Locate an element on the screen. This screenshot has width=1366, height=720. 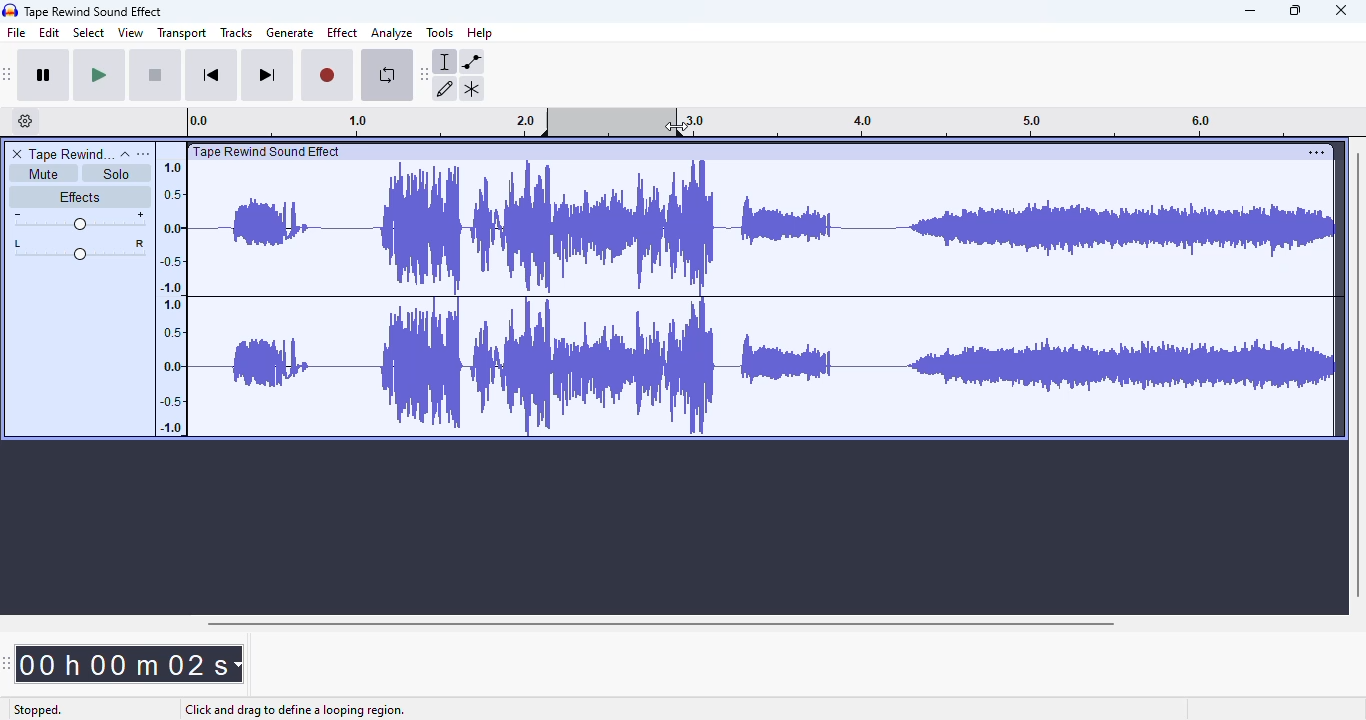
horizontal scroll bar is located at coordinates (657, 623).